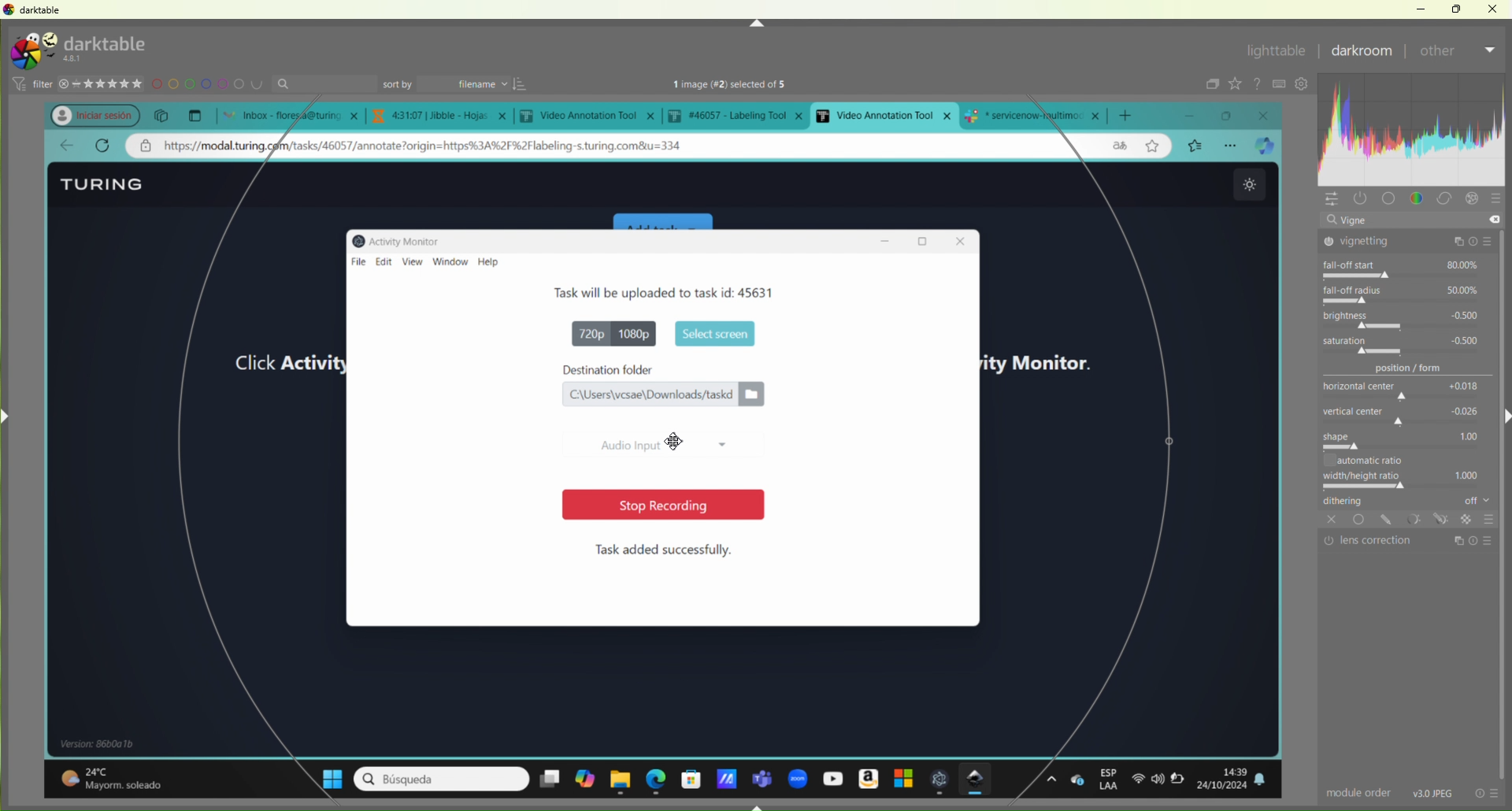 The image size is (1512, 811). What do you see at coordinates (1169, 468) in the screenshot?
I see `selection` at bounding box center [1169, 468].